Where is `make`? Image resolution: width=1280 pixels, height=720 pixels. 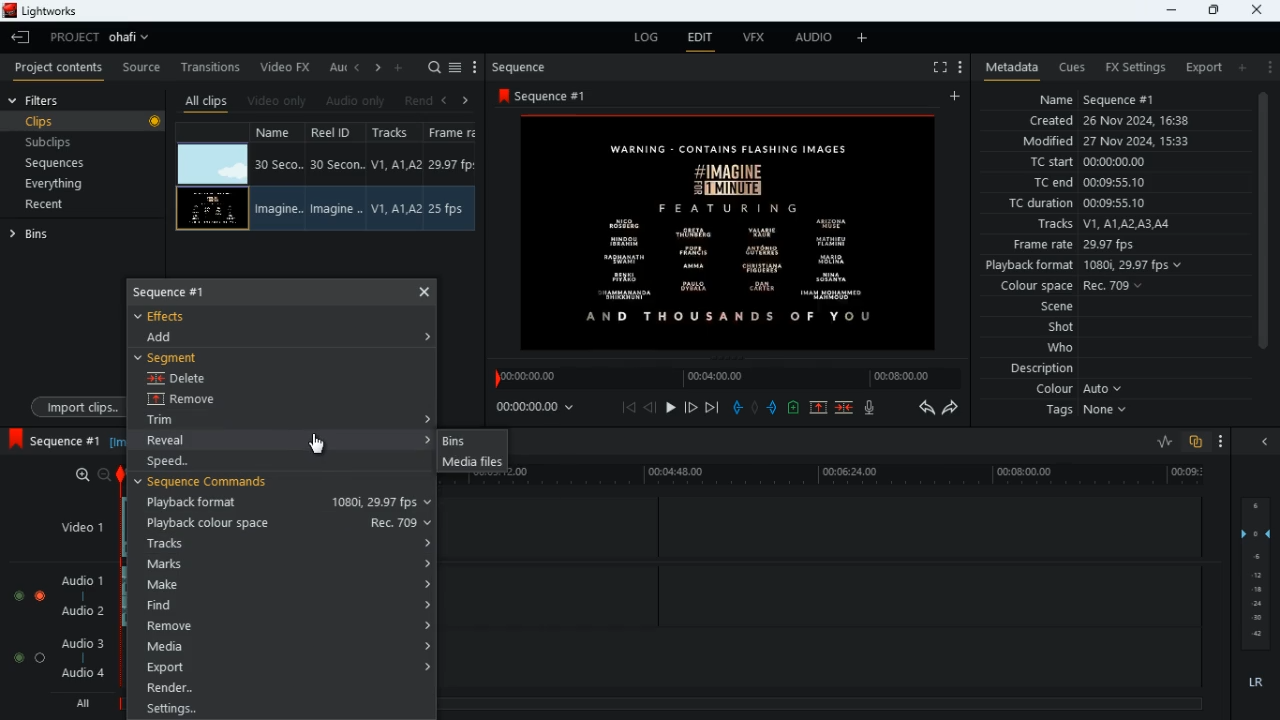 make is located at coordinates (285, 585).